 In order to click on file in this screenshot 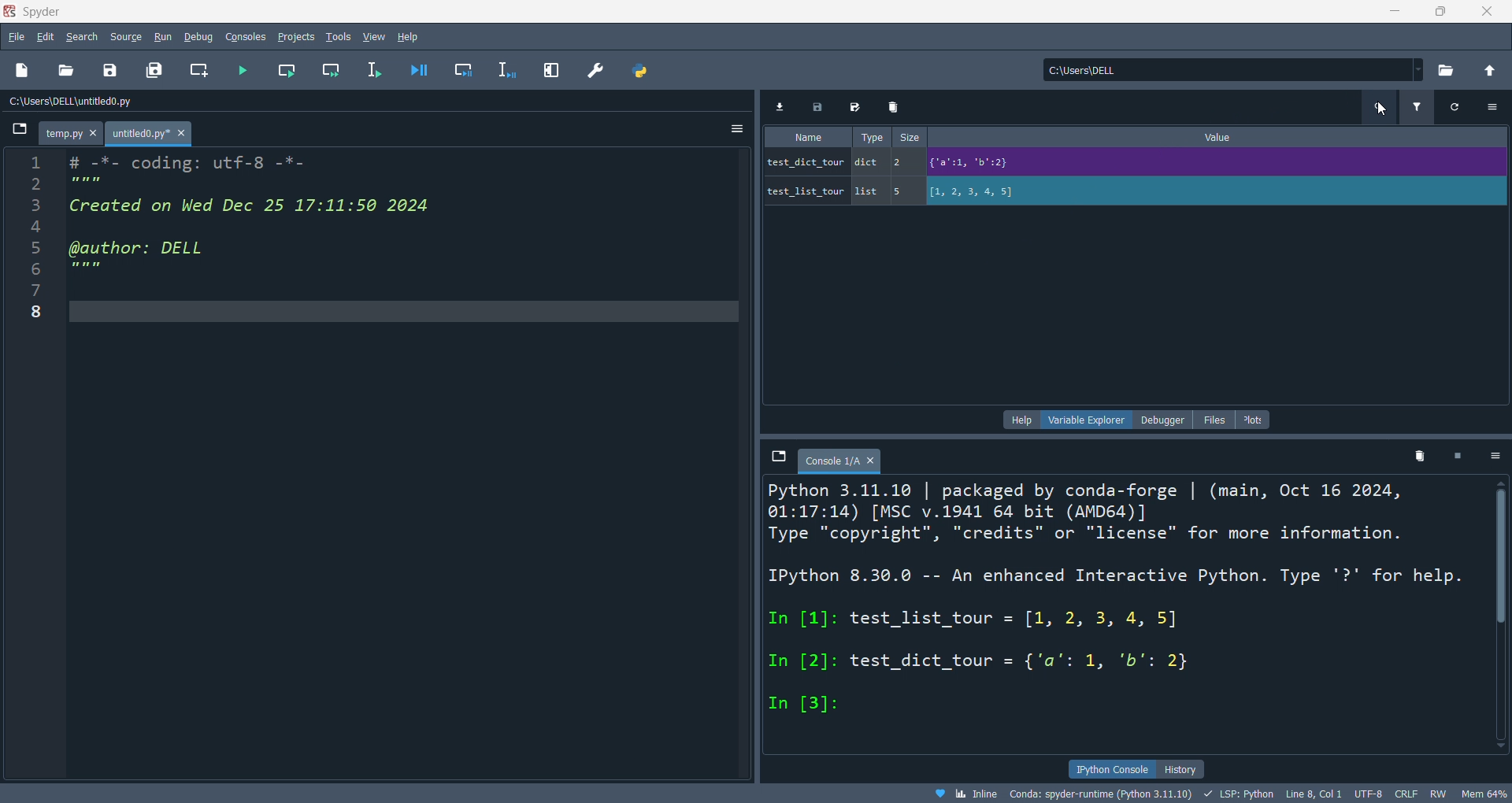, I will do `click(14, 37)`.